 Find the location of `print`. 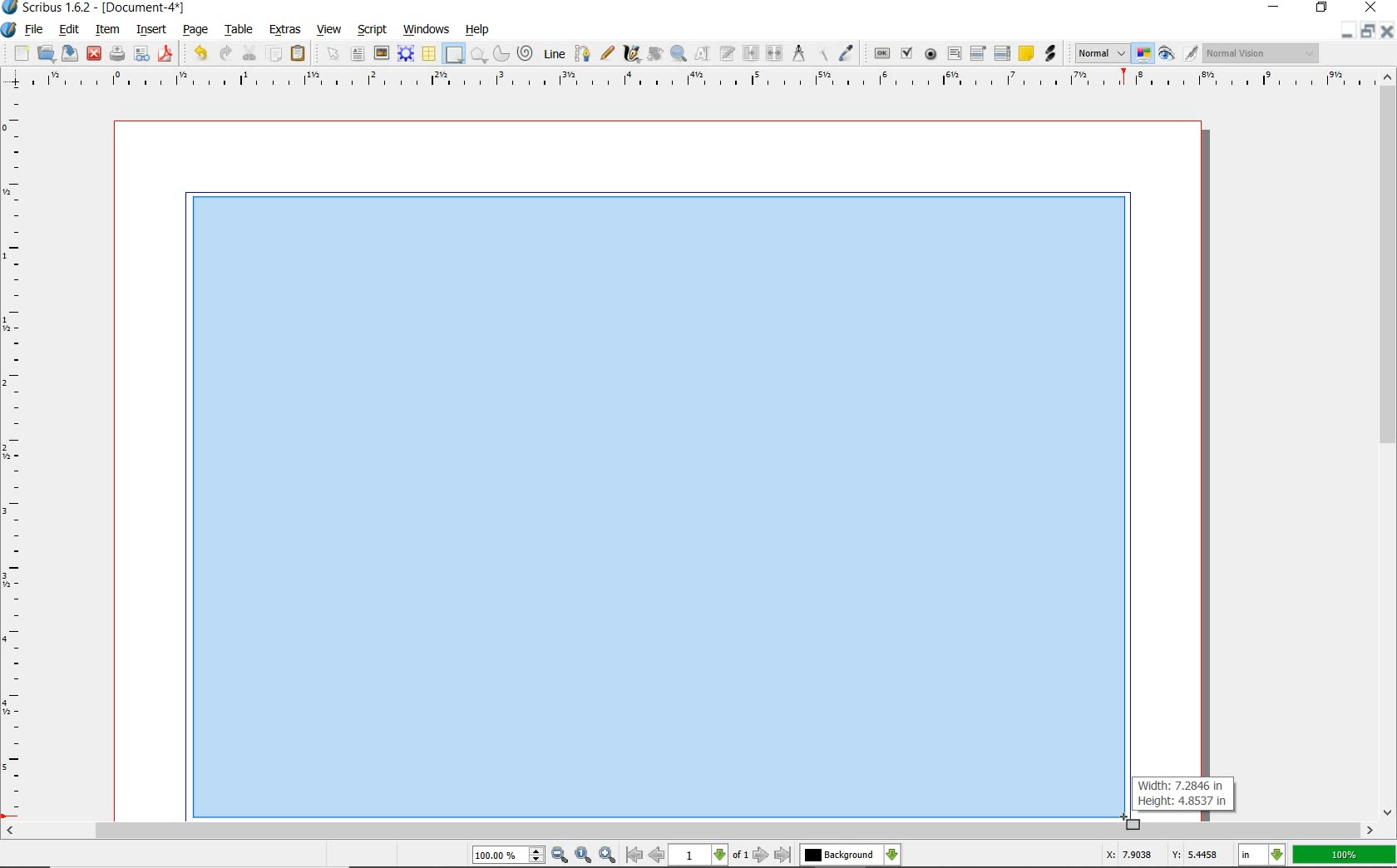

print is located at coordinates (116, 54).